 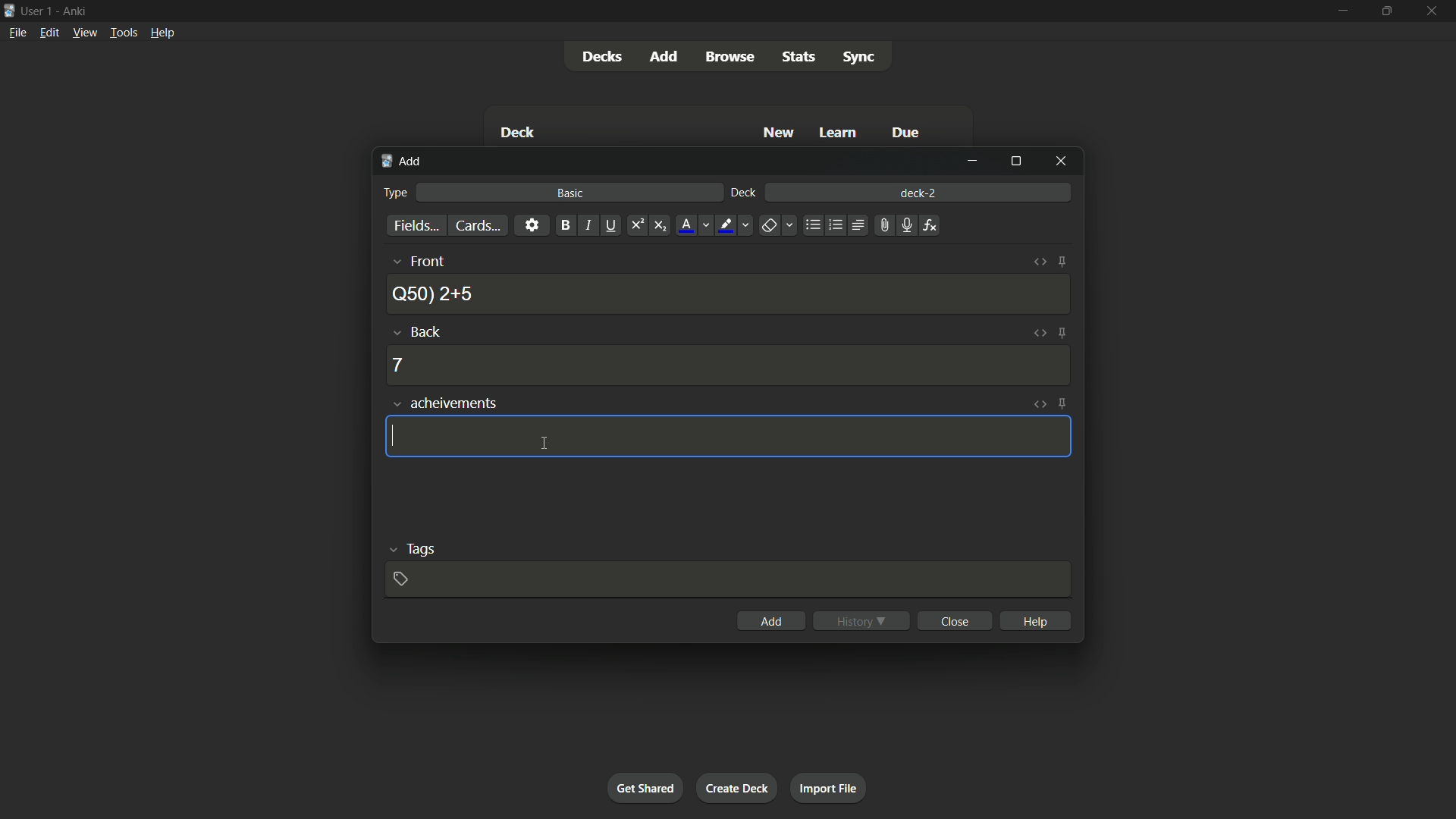 I want to click on italic, so click(x=588, y=225).